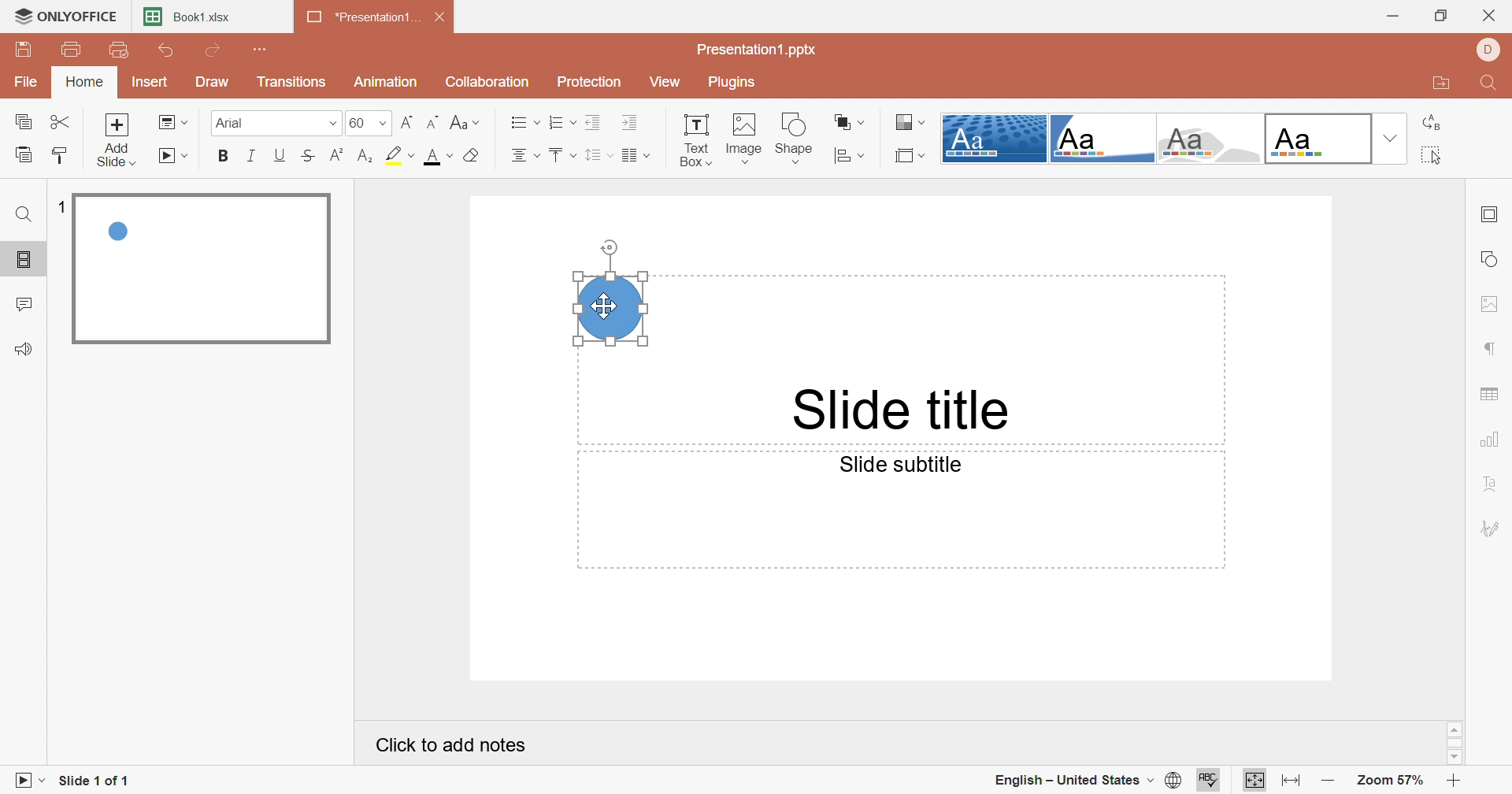 Image resolution: width=1512 pixels, height=794 pixels. Describe the element at coordinates (26, 783) in the screenshot. I see `Start slideshow` at that location.